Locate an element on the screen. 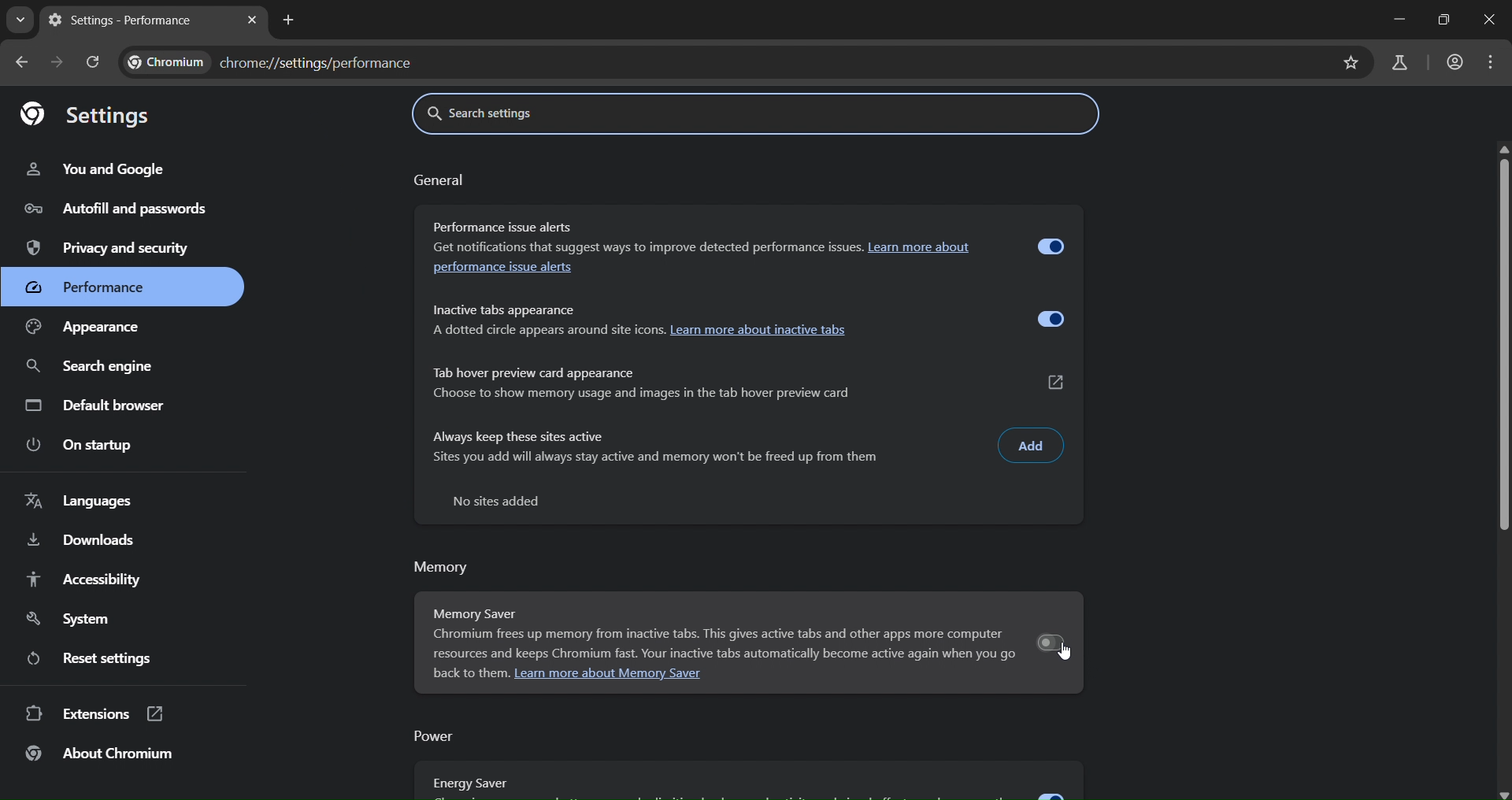  expand/disable is located at coordinates (1048, 794).